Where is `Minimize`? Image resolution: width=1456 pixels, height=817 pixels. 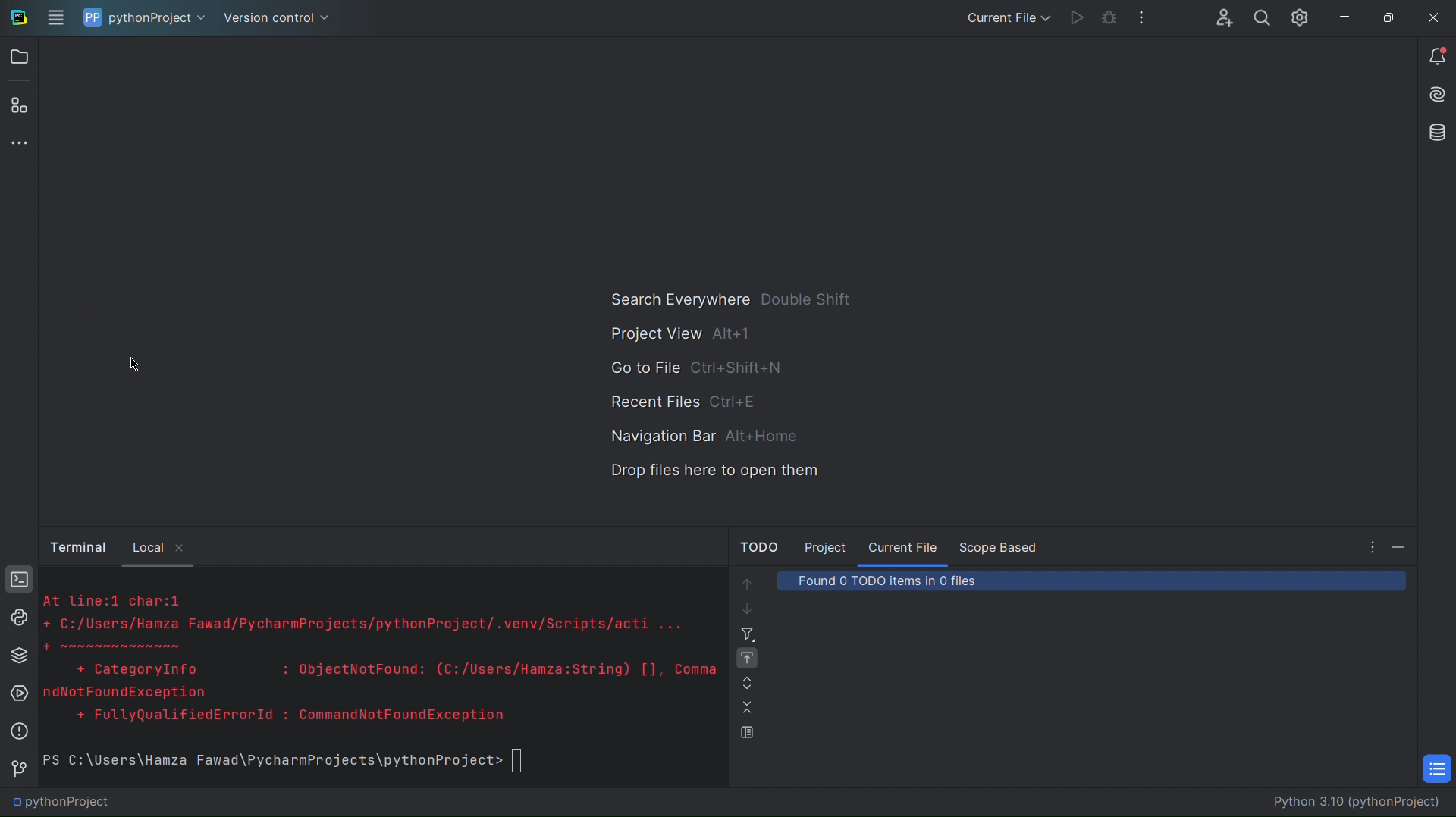 Minimize is located at coordinates (1344, 14).